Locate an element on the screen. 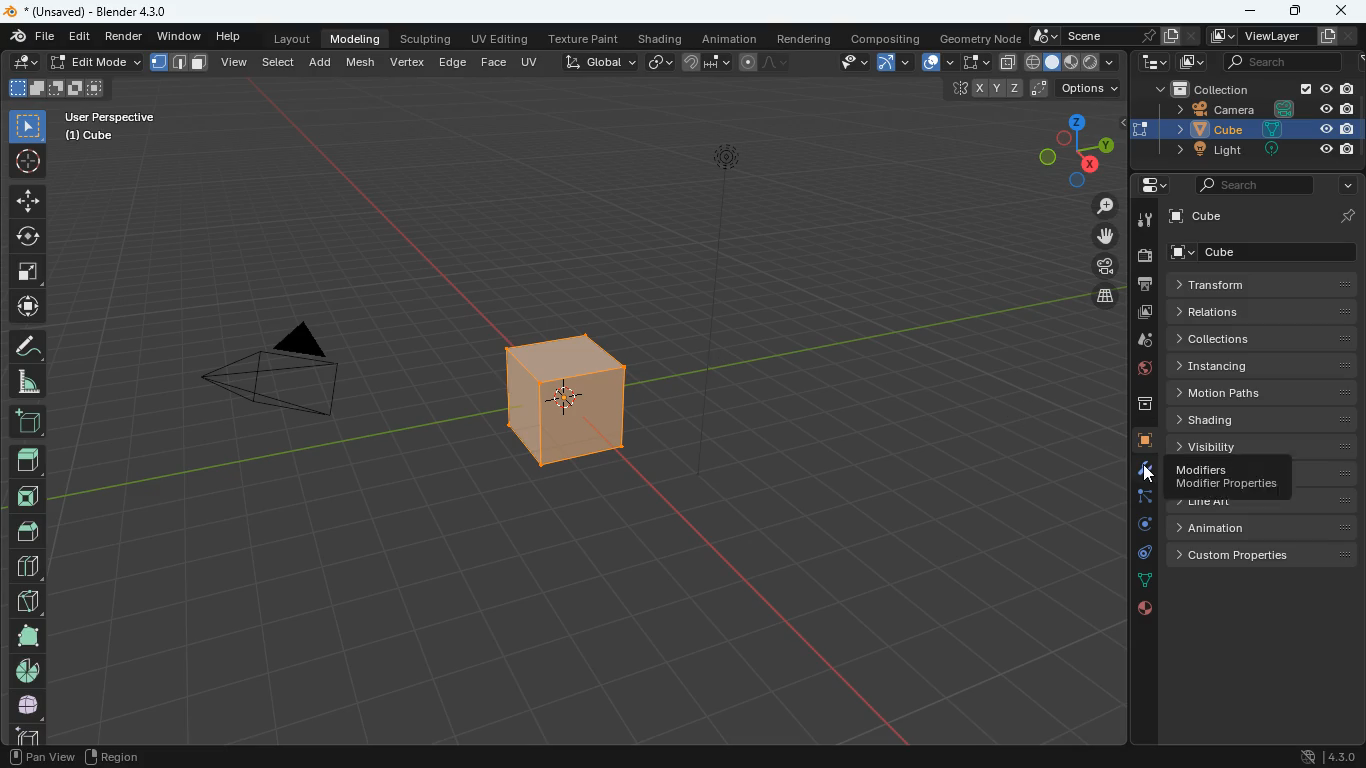 This screenshot has height=768, width=1366. select is located at coordinates (280, 65).